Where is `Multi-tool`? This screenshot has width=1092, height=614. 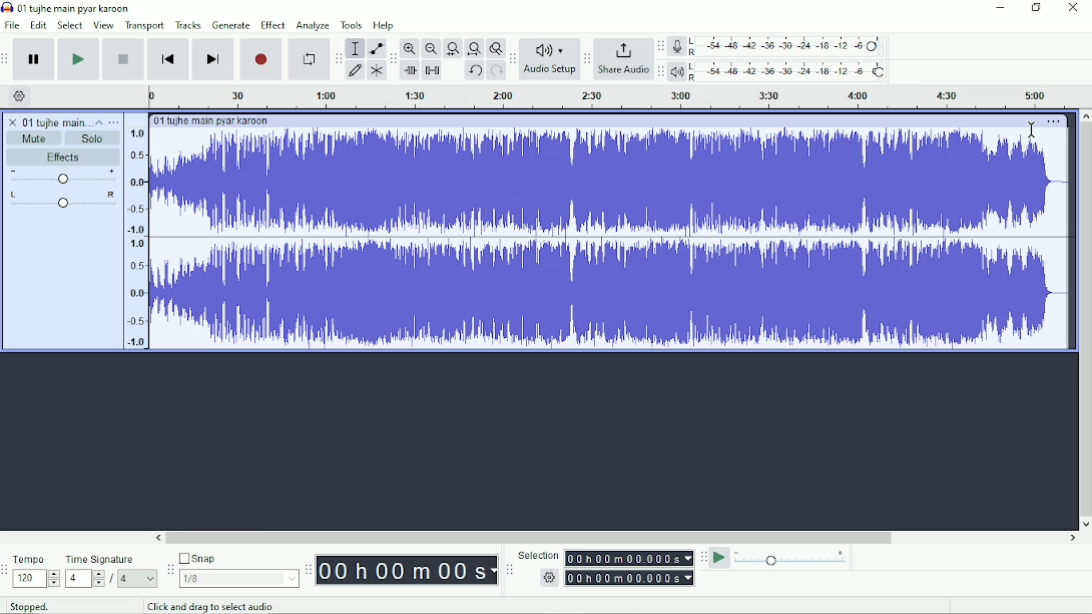 Multi-tool is located at coordinates (376, 70).